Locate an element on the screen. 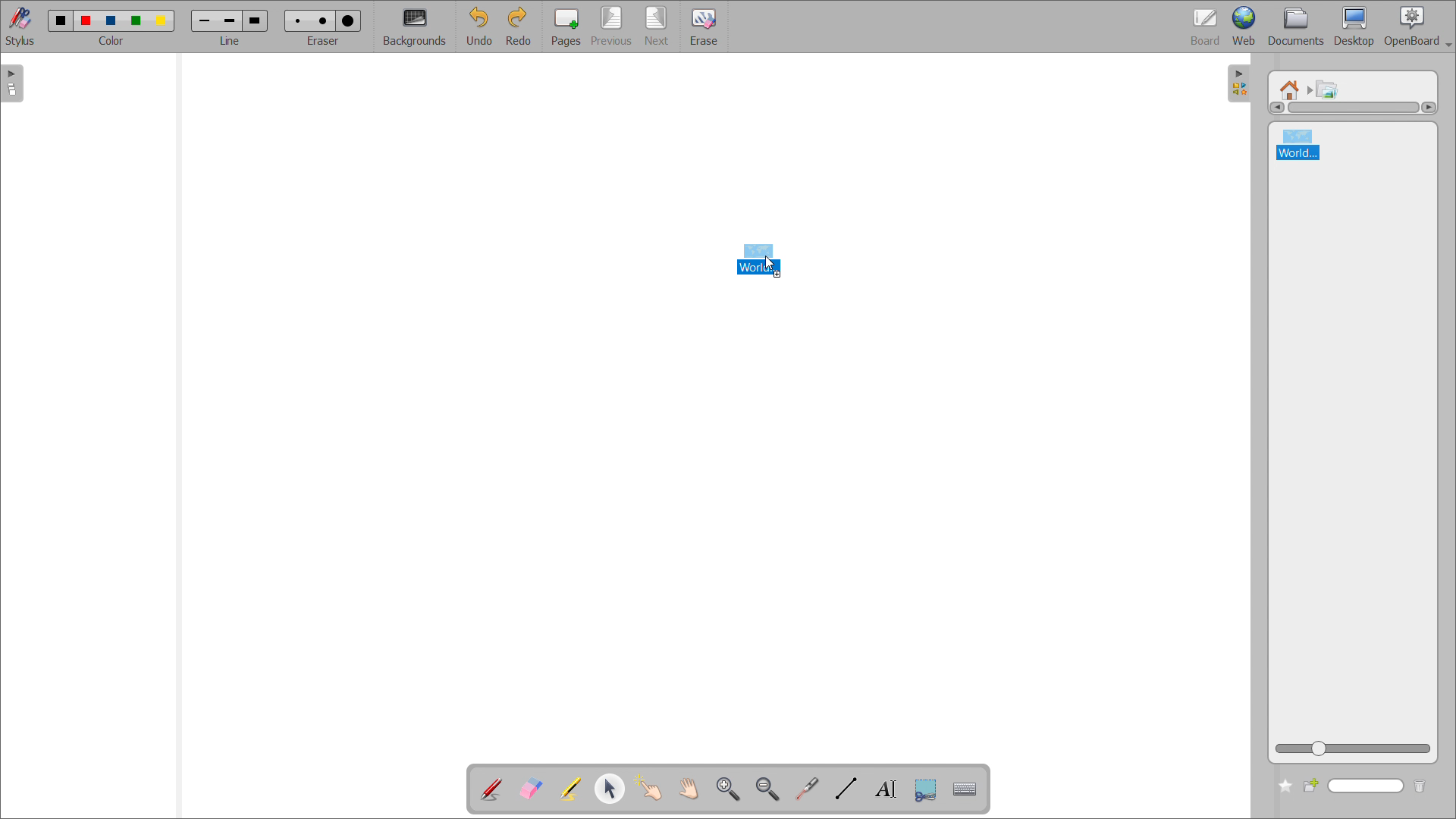 This screenshot has height=819, width=1456. next page is located at coordinates (657, 25).